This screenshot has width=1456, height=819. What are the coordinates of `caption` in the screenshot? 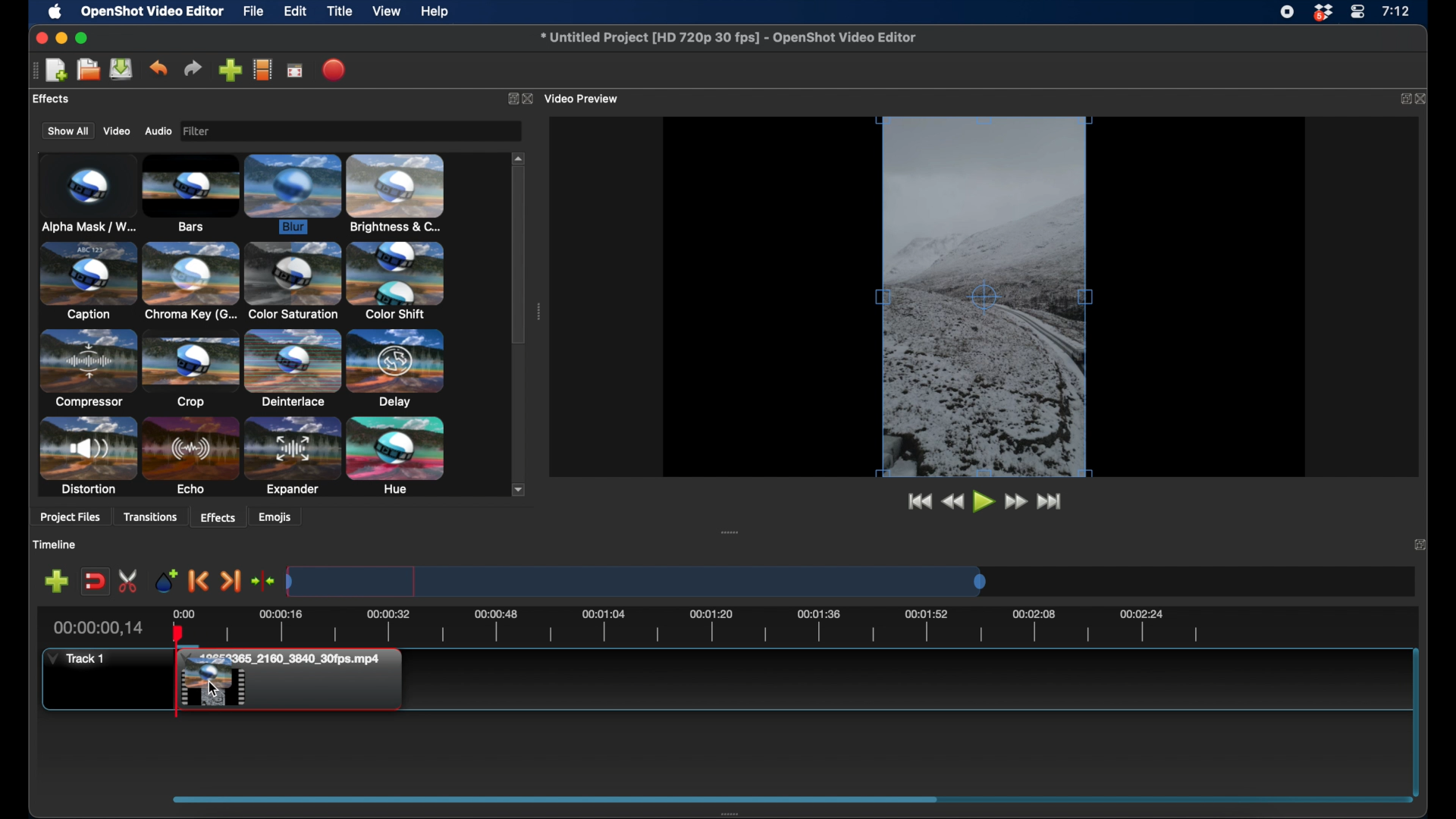 It's located at (87, 281).